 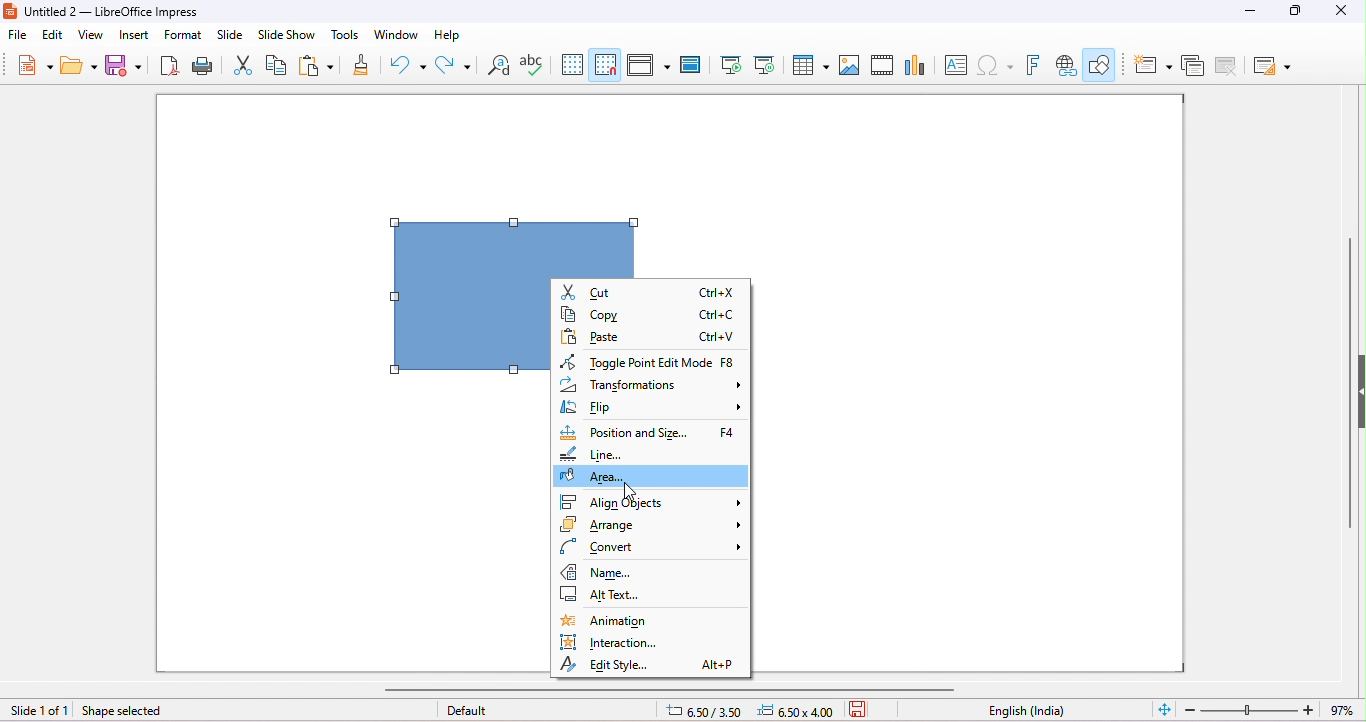 What do you see at coordinates (914, 64) in the screenshot?
I see `insert chart` at bounding box center [914, 64].